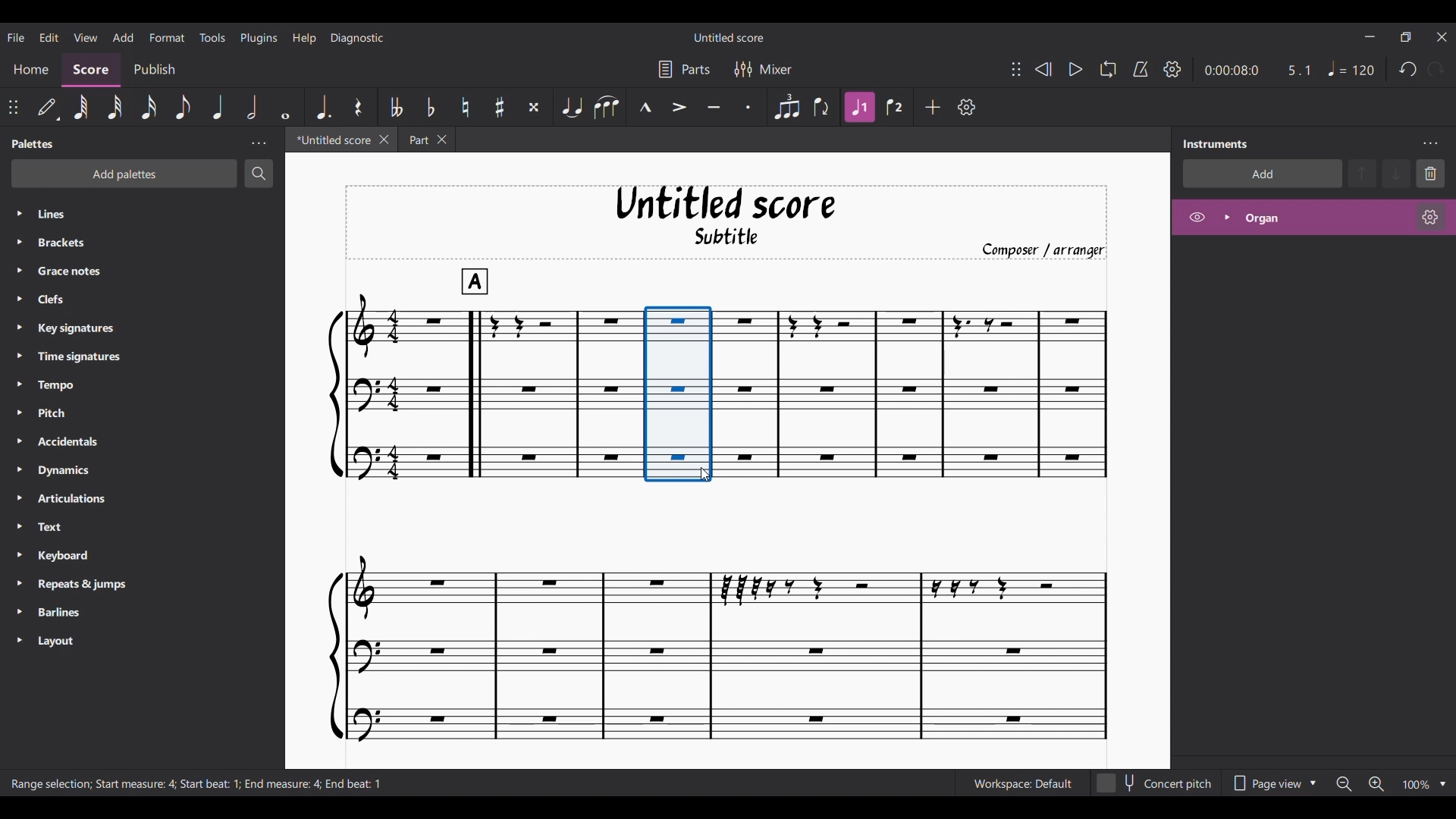  Describe the element at coordinates (1430, 143) in the screenshot. I see `Instruments setting` at that location.